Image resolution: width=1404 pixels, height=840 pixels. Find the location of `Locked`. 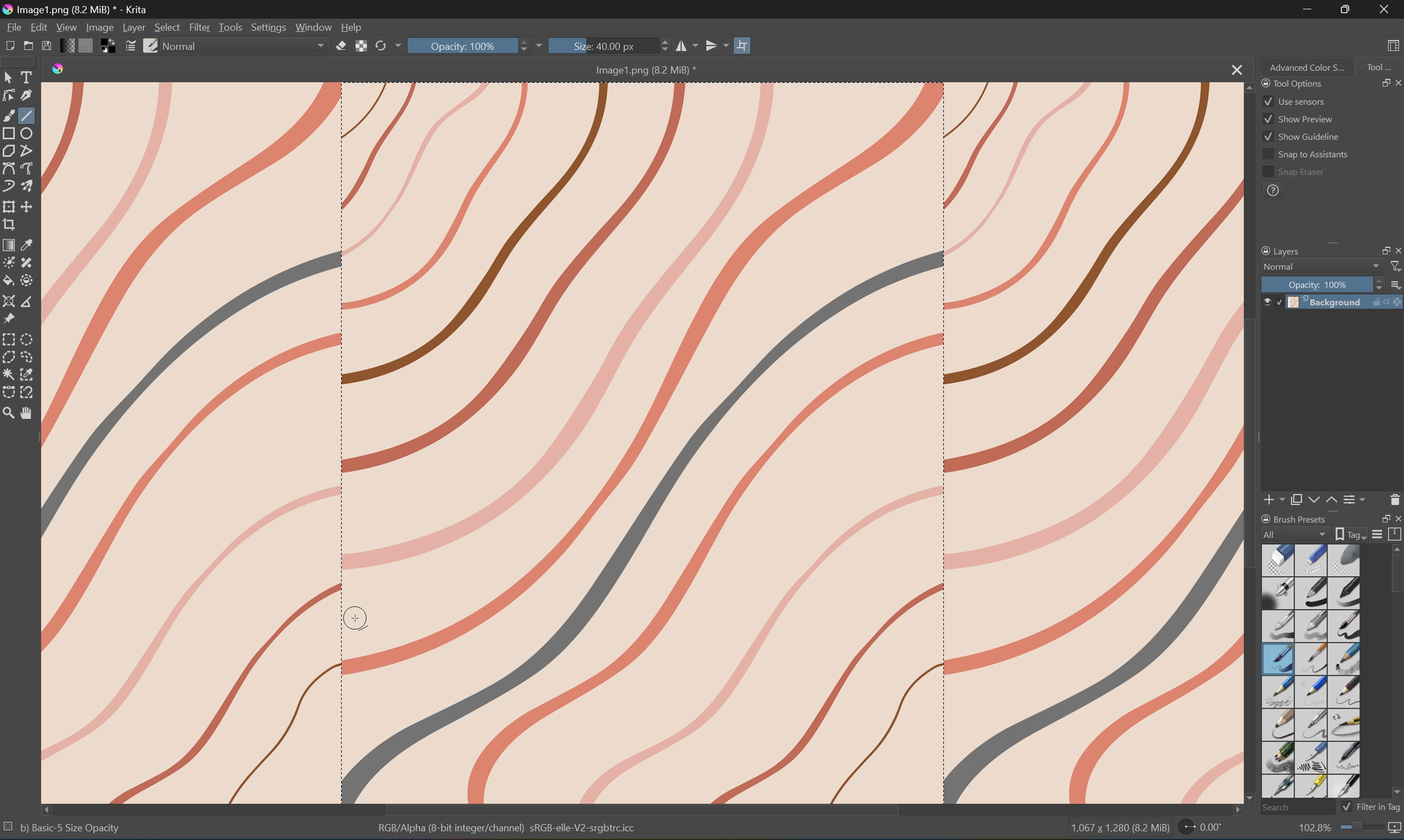

Locked is located at coordinates (1279, 302).